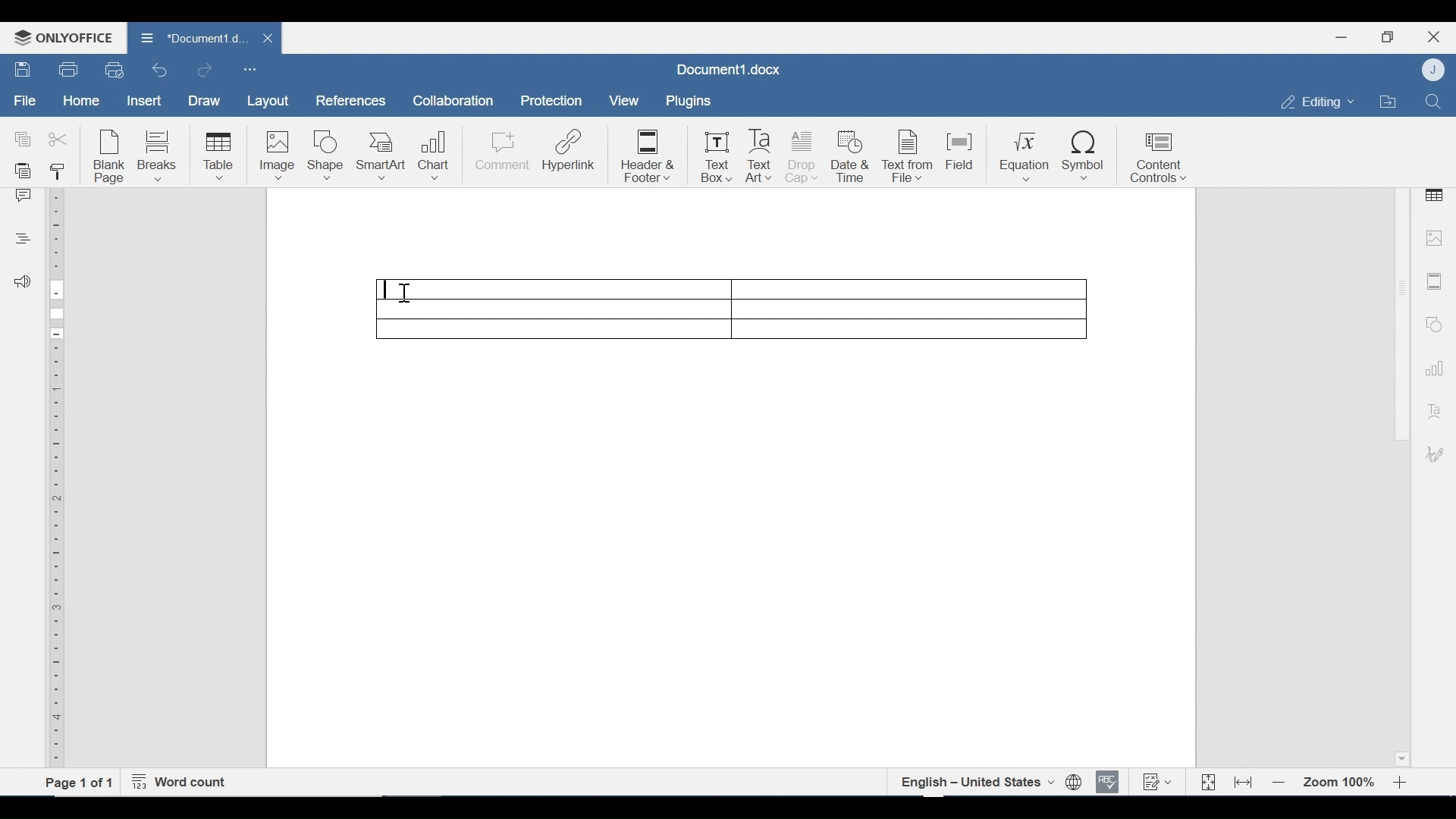 The width and height of the screenshot is (1456, 819). I want to click on Page, so click(730, 557).